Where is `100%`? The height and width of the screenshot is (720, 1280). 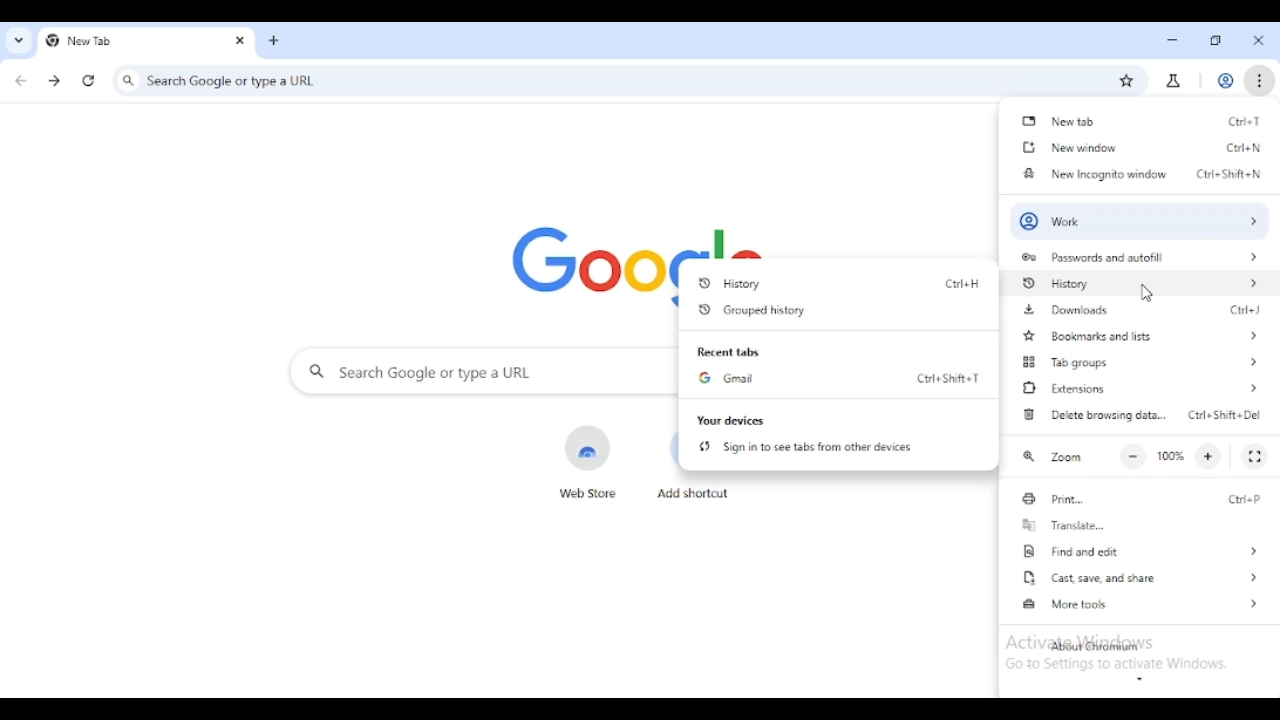
100% is located at coordinates (1170, 456).